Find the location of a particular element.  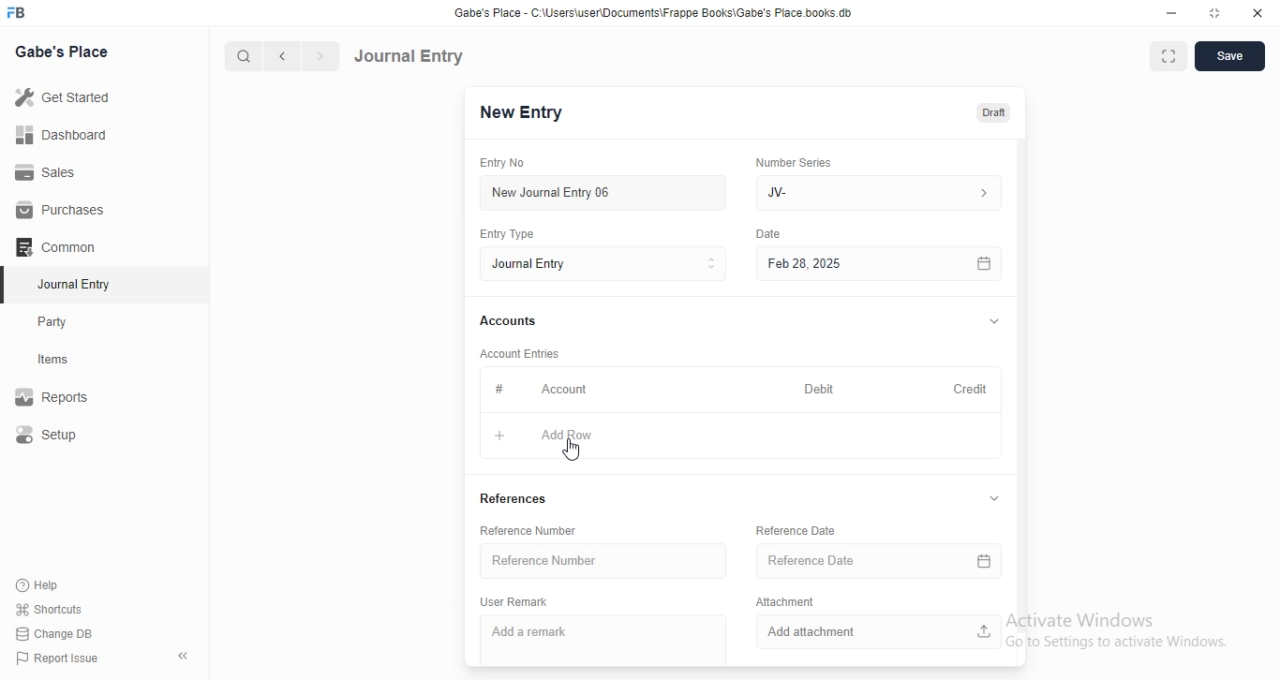

collapse is located at coordinates (993, 323).